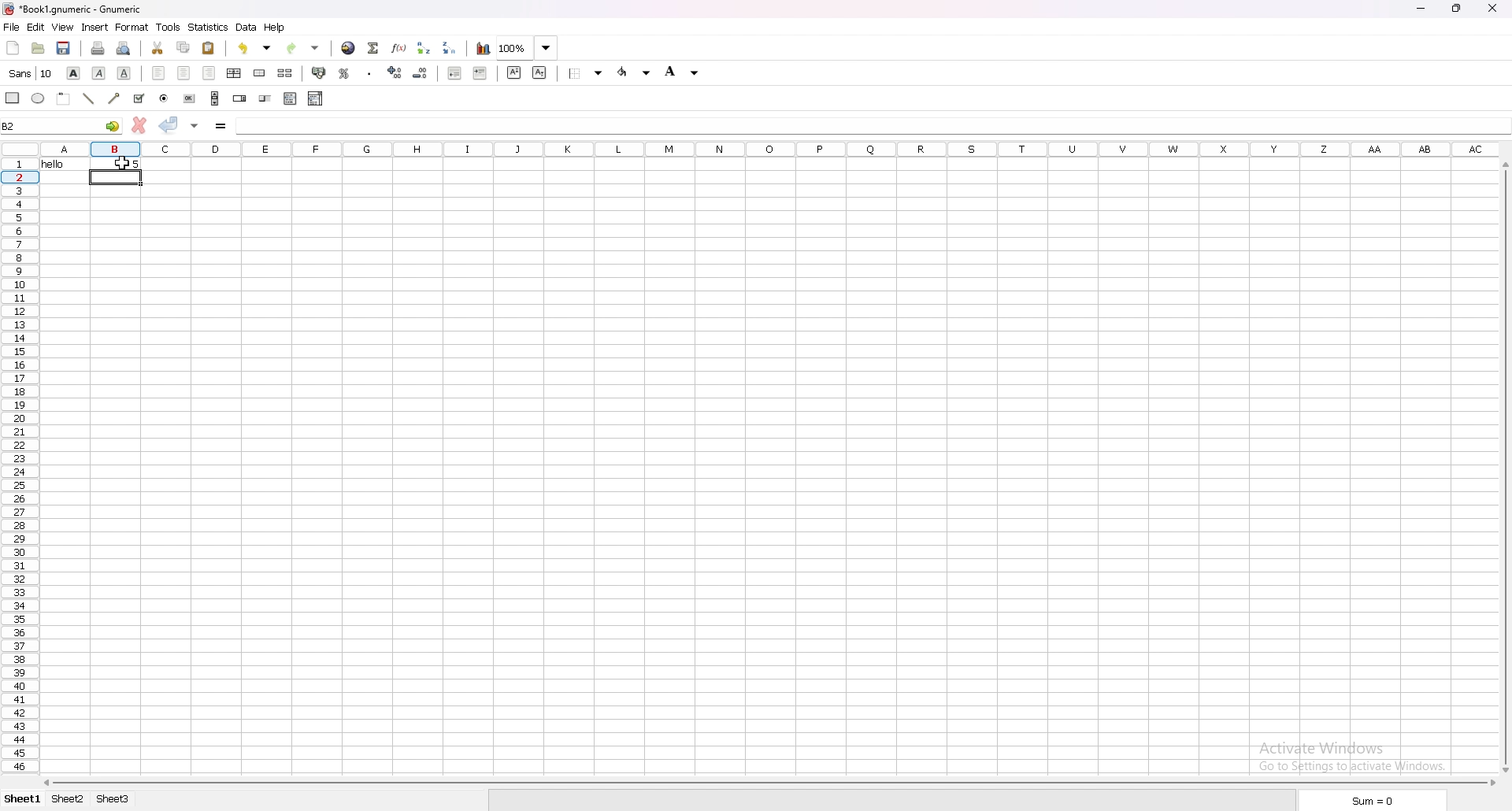  I want to click on italic, so click(99, 74).